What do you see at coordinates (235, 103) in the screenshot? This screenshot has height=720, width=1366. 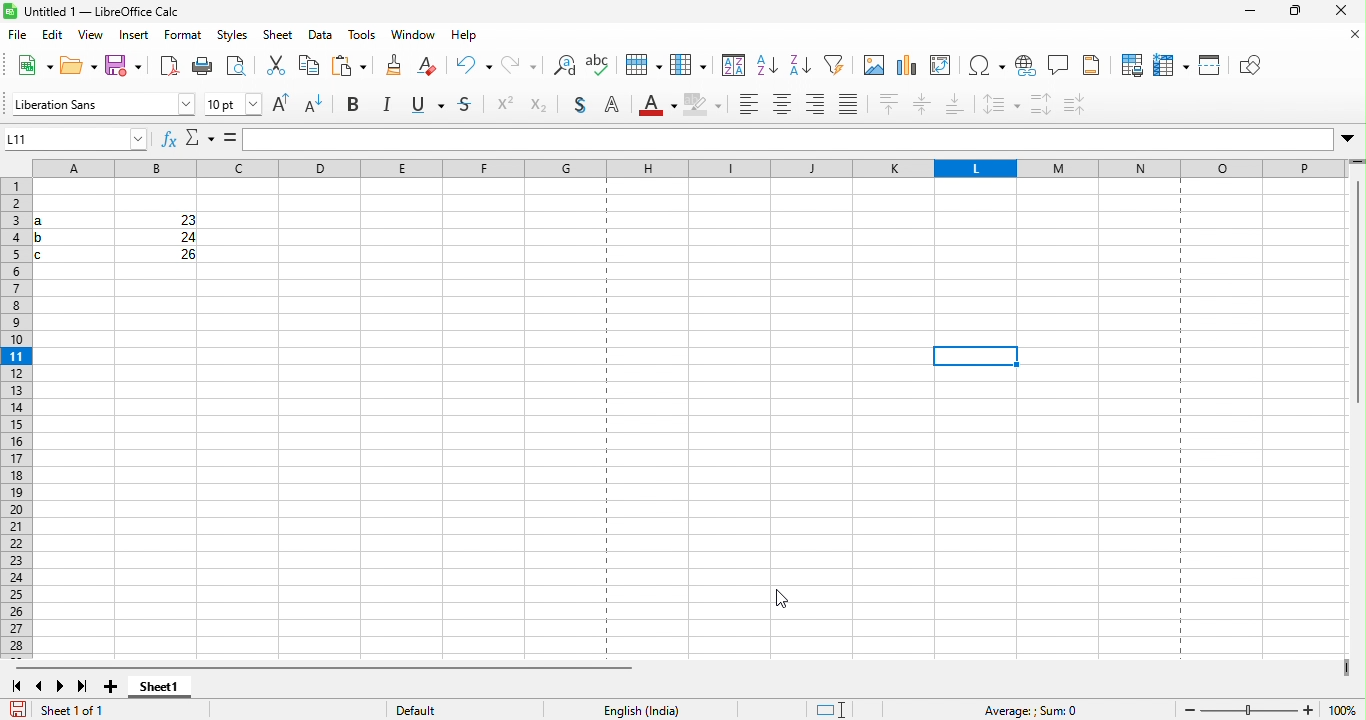 I see `font size` at bounding box center [235, 103].